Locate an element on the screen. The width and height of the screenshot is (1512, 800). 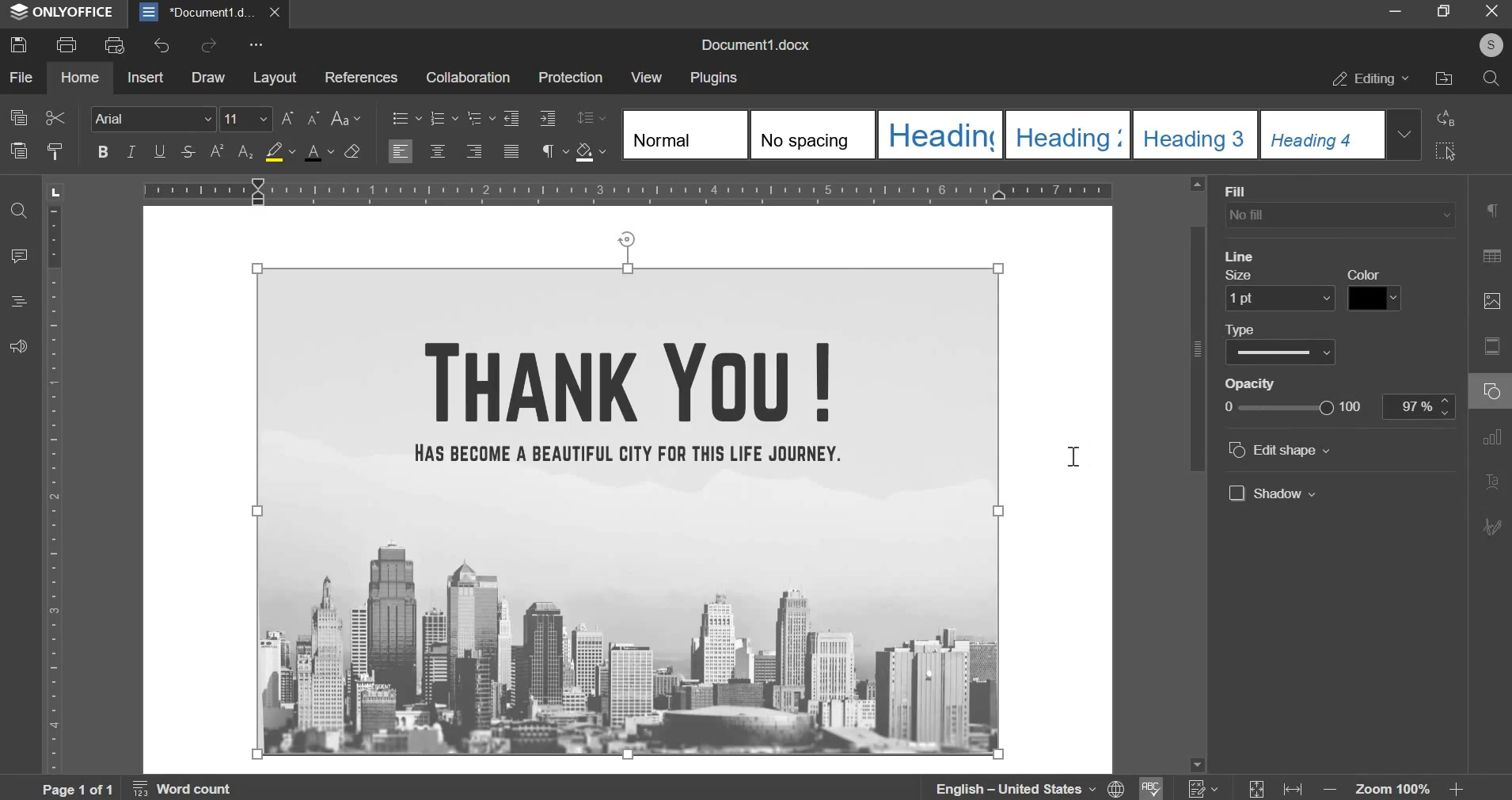
restore is located at coordinates (1444, 12).